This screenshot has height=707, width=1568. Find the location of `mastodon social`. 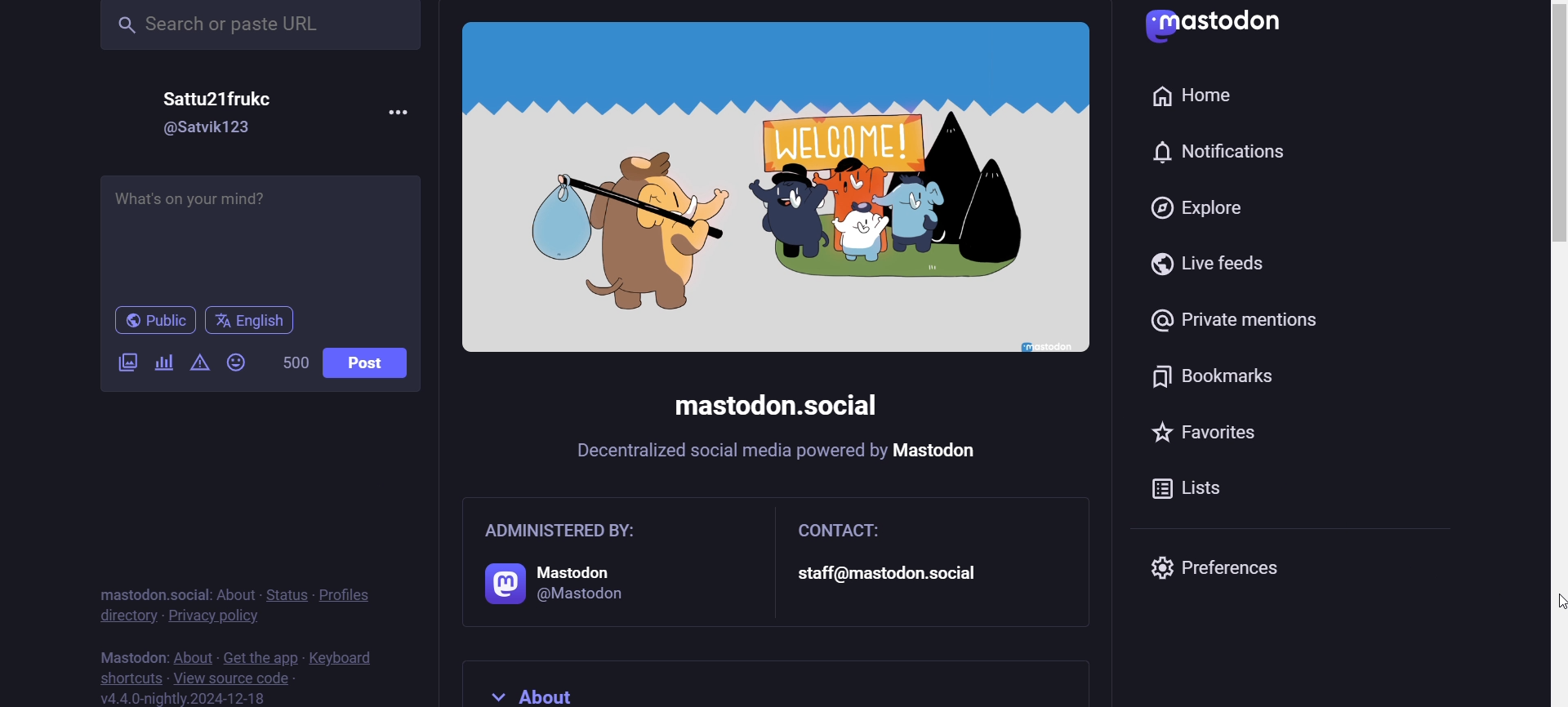

mastodon social is located at coordinates (784, 428).